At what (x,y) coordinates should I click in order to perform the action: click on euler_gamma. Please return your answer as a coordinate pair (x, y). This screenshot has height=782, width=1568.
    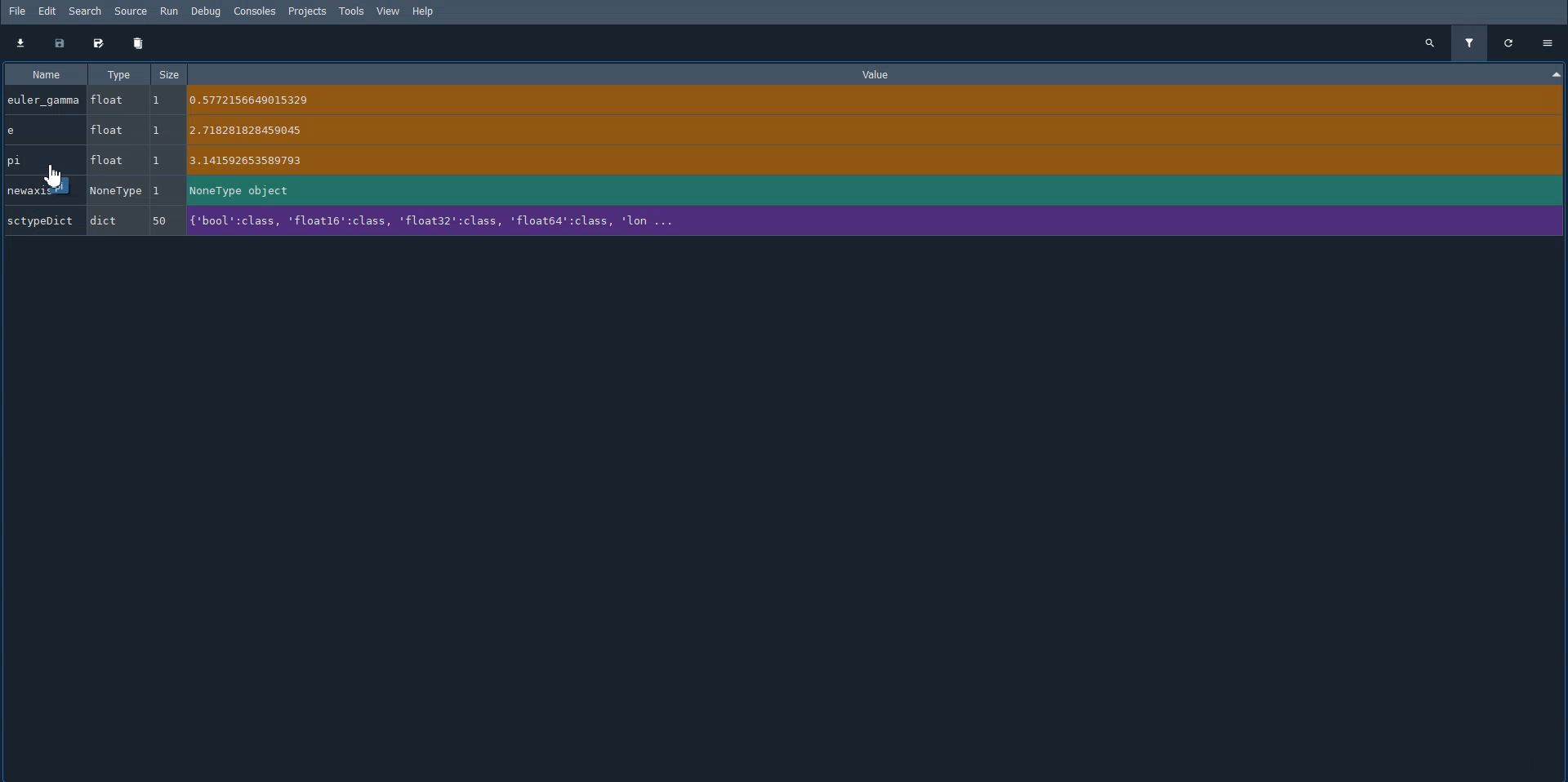
    Looking at the image, I should click on (786, 100).